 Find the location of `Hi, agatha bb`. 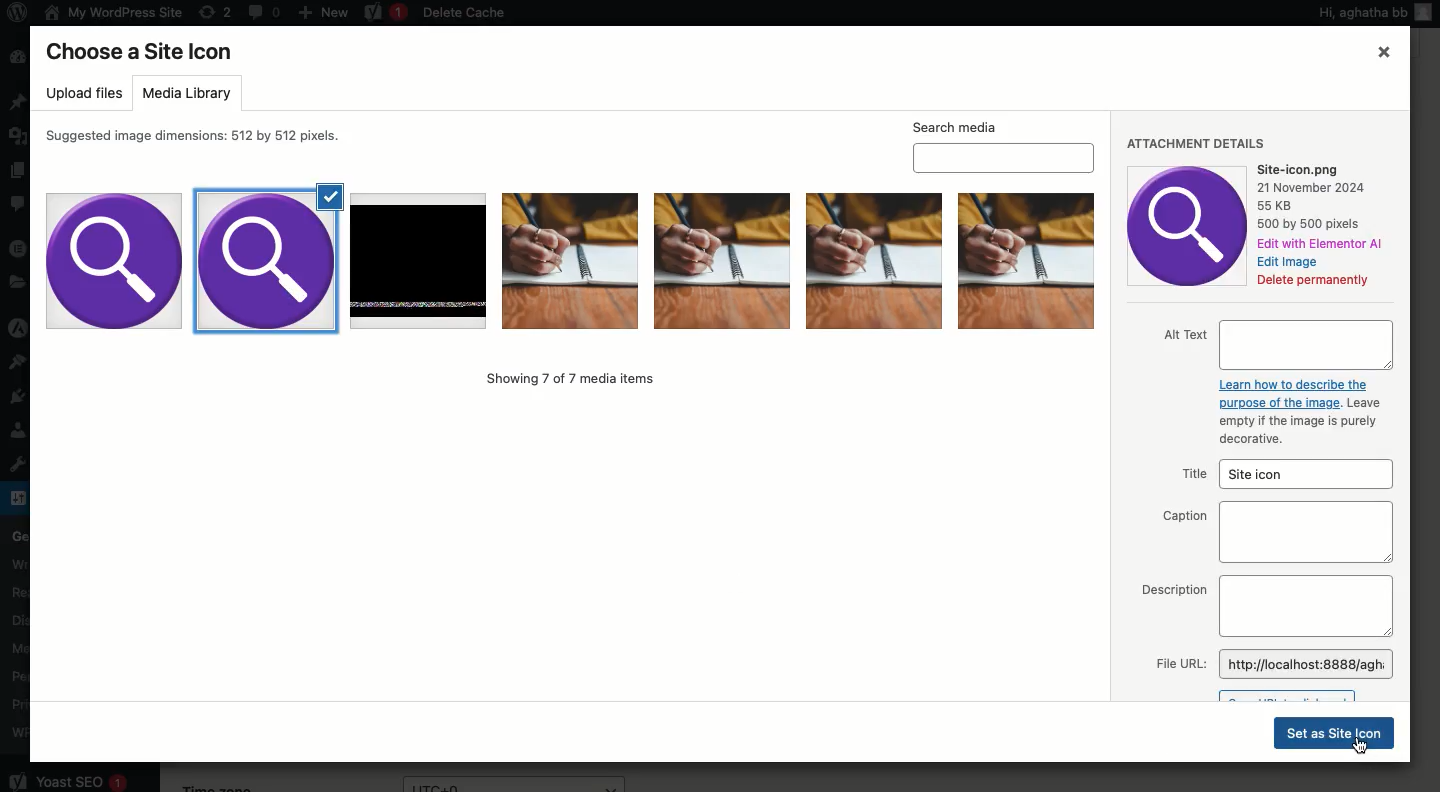

Hi, agatha bb is located at coordinates (1360, 15).